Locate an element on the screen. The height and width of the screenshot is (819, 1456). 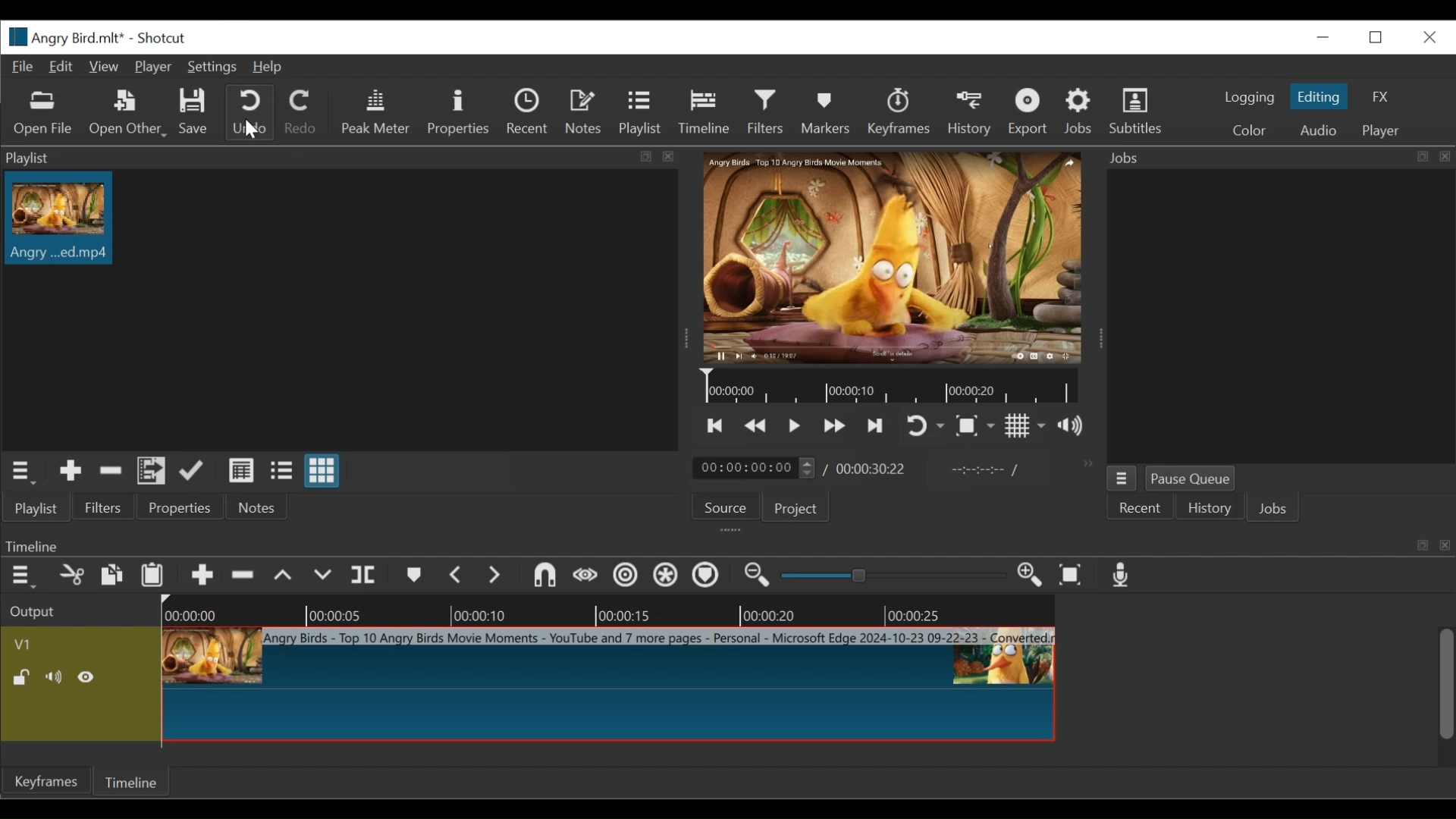
logging is located at coordinates (1248, 99).